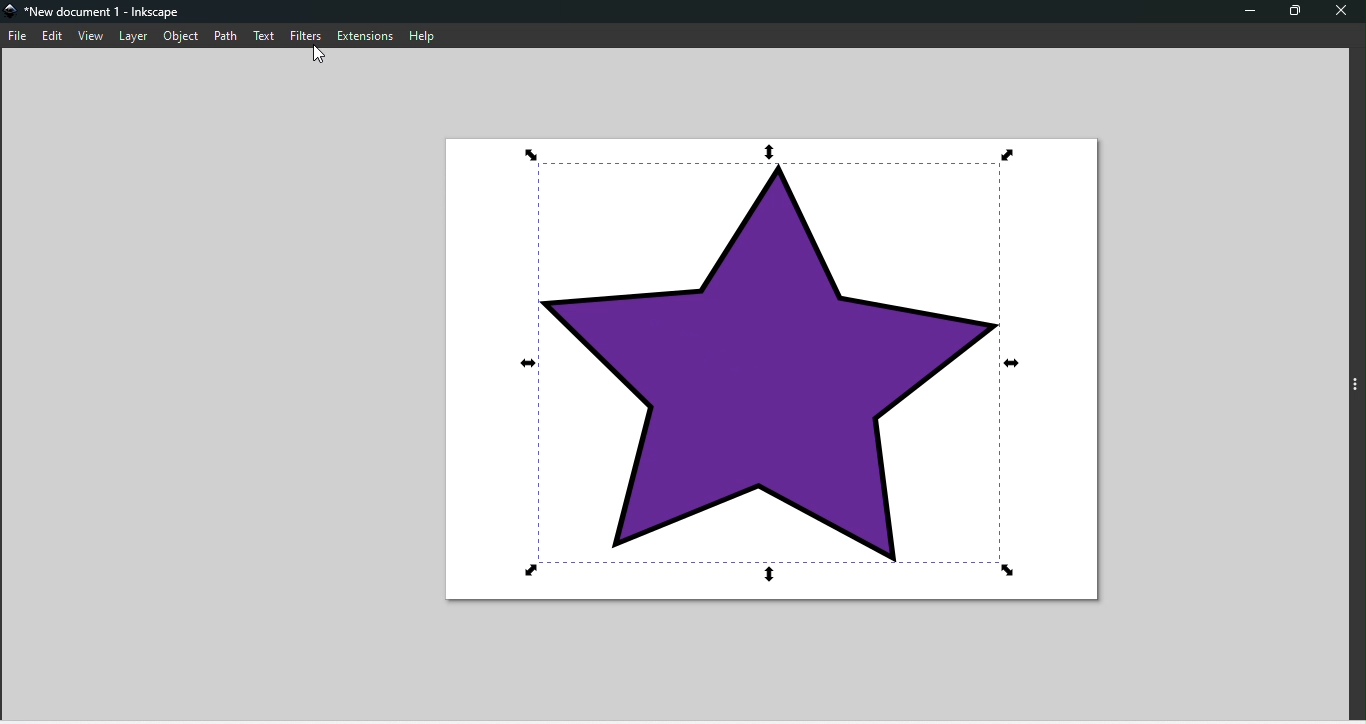 This screenshot has height=724, width=1366. Describe the element at coordinates (363, 36) in the screenshot. I see `Extensions` at that location.